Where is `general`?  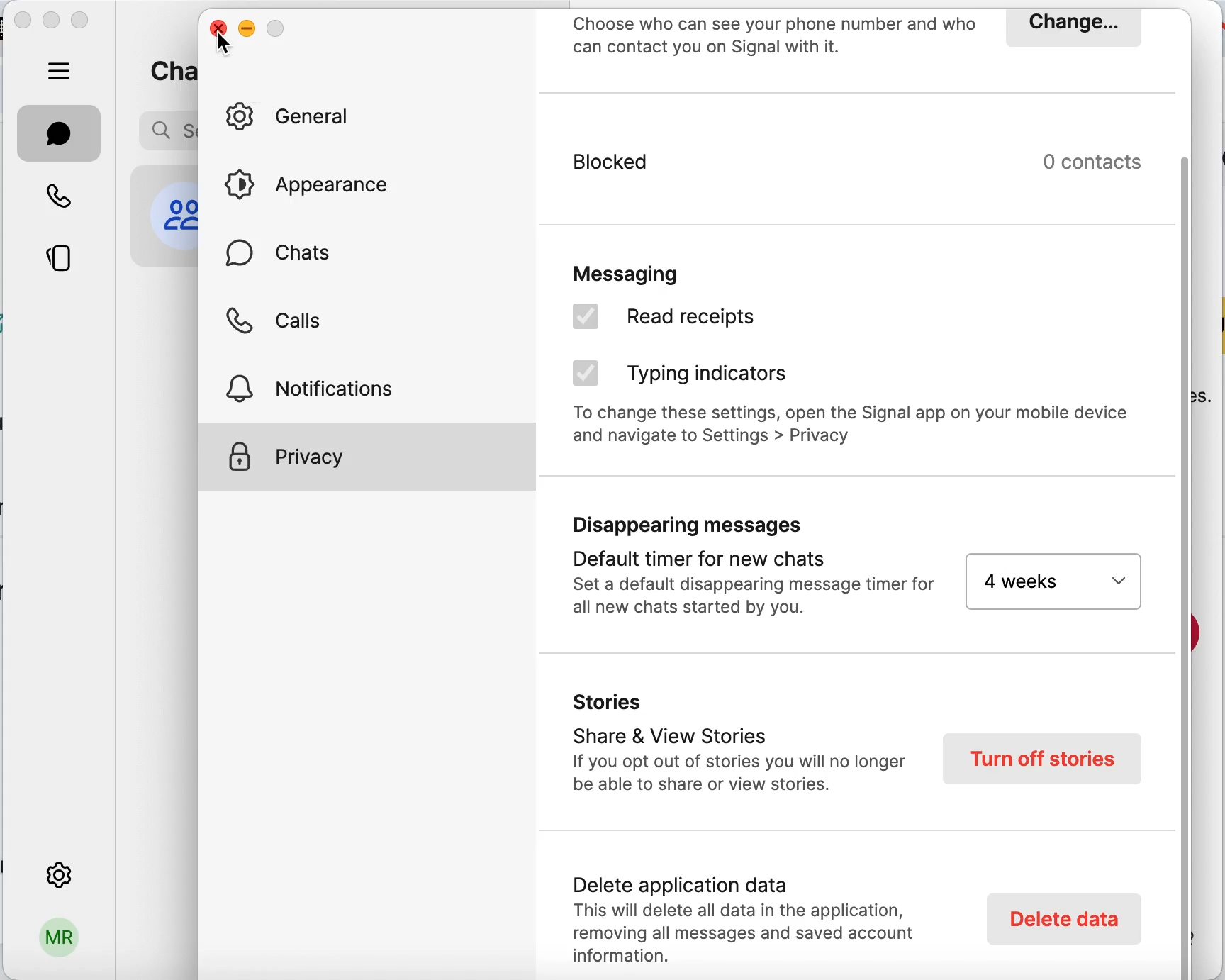 general is located at coordinates (298, 118).